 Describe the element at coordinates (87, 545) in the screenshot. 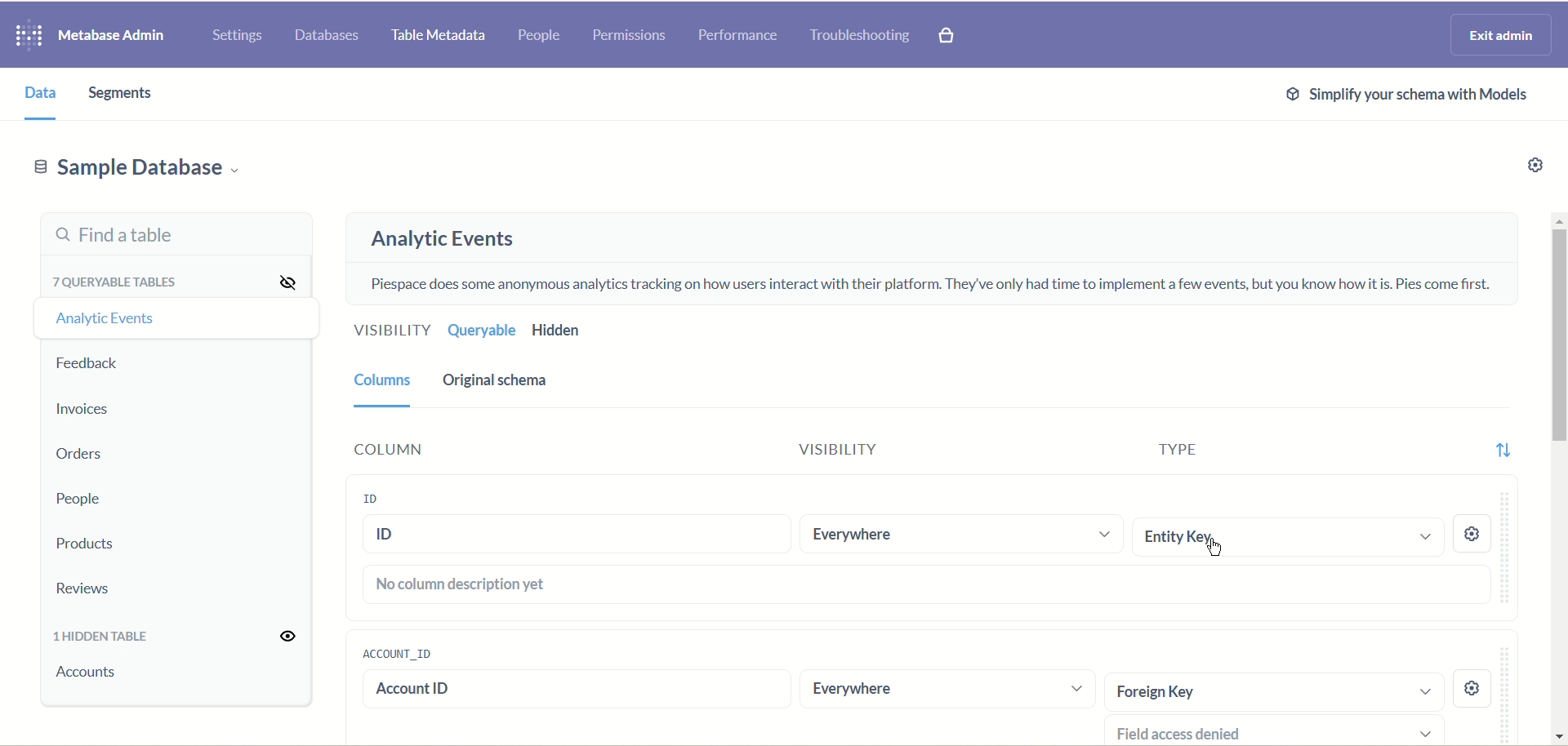

I see `products` at that location.